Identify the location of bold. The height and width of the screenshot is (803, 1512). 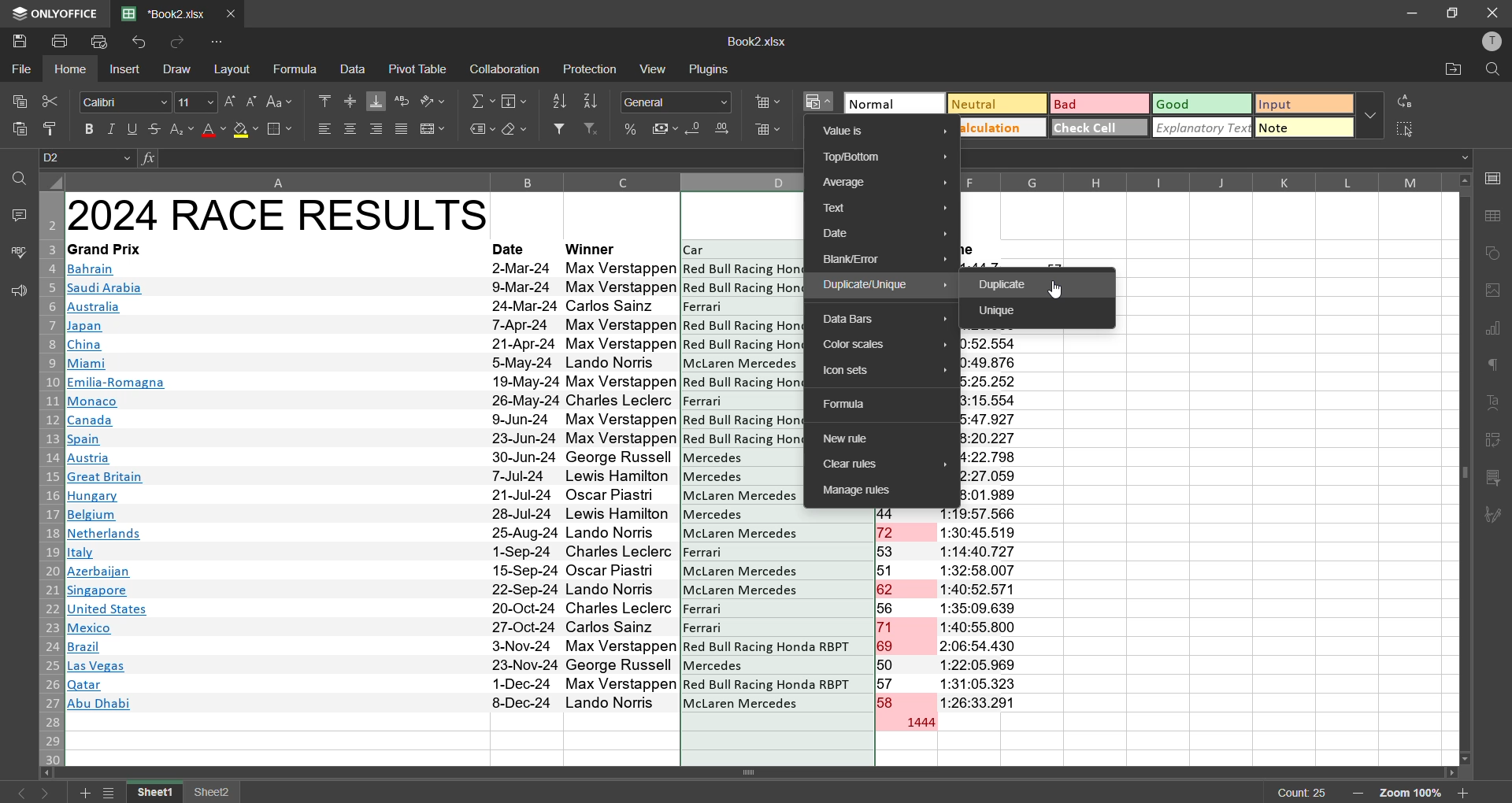
(91, 129).